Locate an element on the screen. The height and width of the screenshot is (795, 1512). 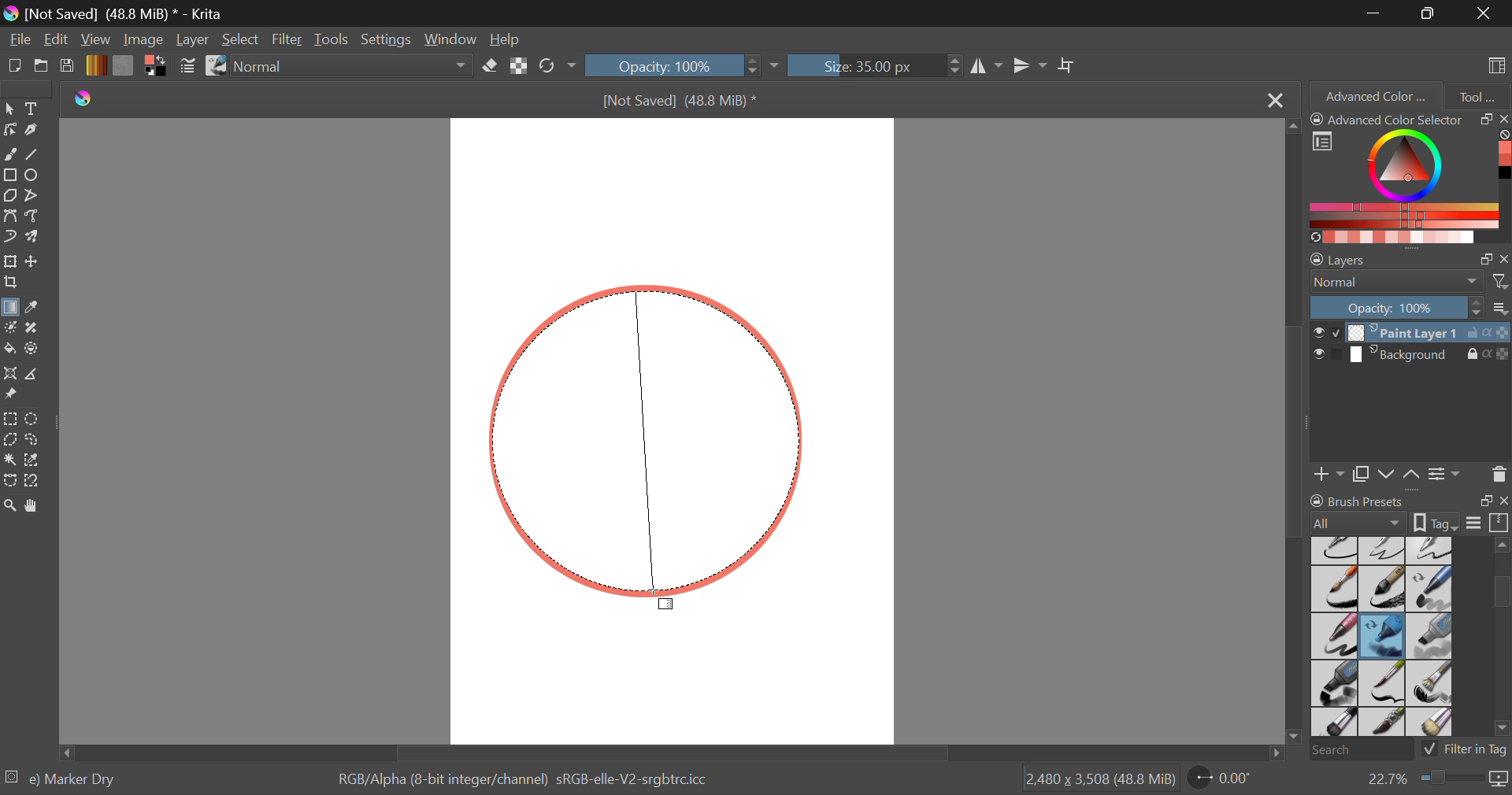
Move Layers is located at coordinates (1400, 472).